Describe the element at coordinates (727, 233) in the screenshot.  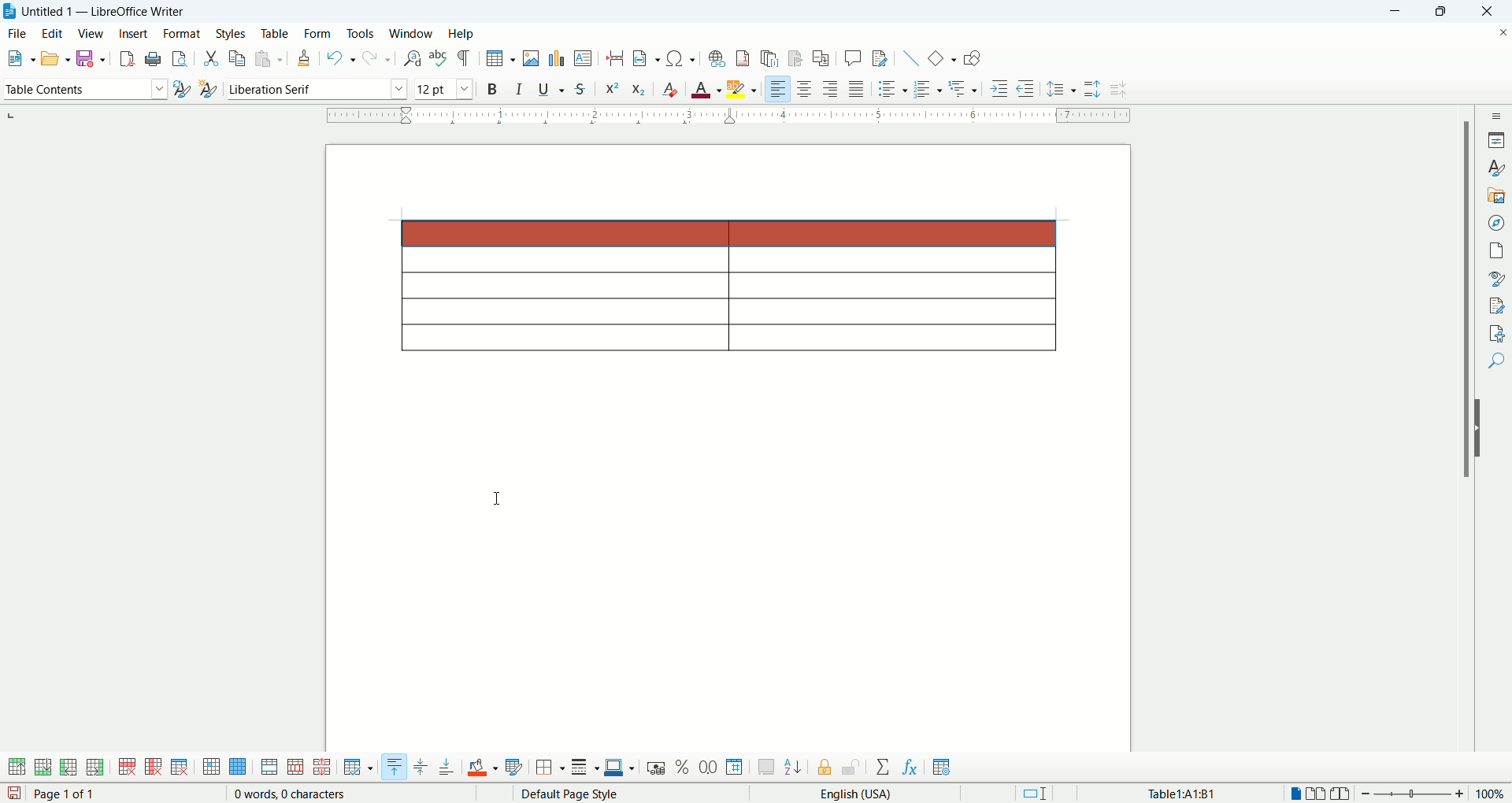
I see `changed cells` at that location.